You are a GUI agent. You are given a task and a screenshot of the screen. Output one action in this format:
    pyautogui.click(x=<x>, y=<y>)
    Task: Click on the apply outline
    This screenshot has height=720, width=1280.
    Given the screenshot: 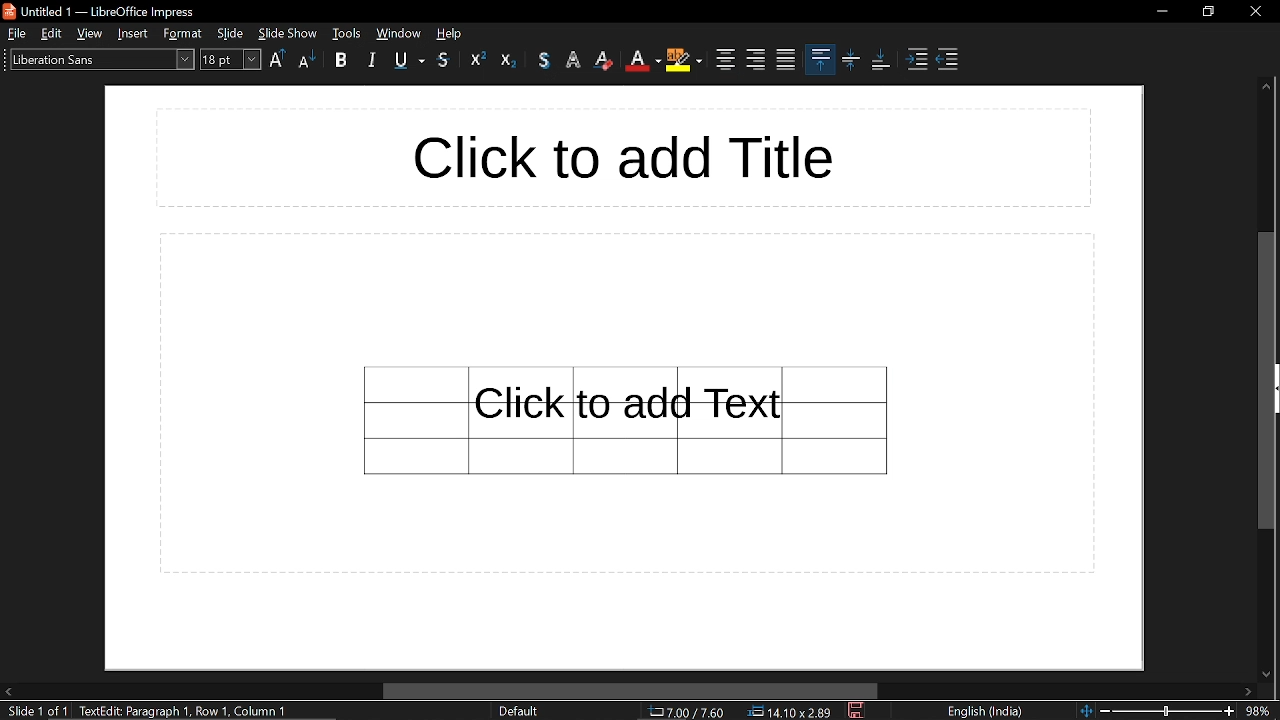 What is the action you would take?
    pyautogui.click(x=576, y=61)
    